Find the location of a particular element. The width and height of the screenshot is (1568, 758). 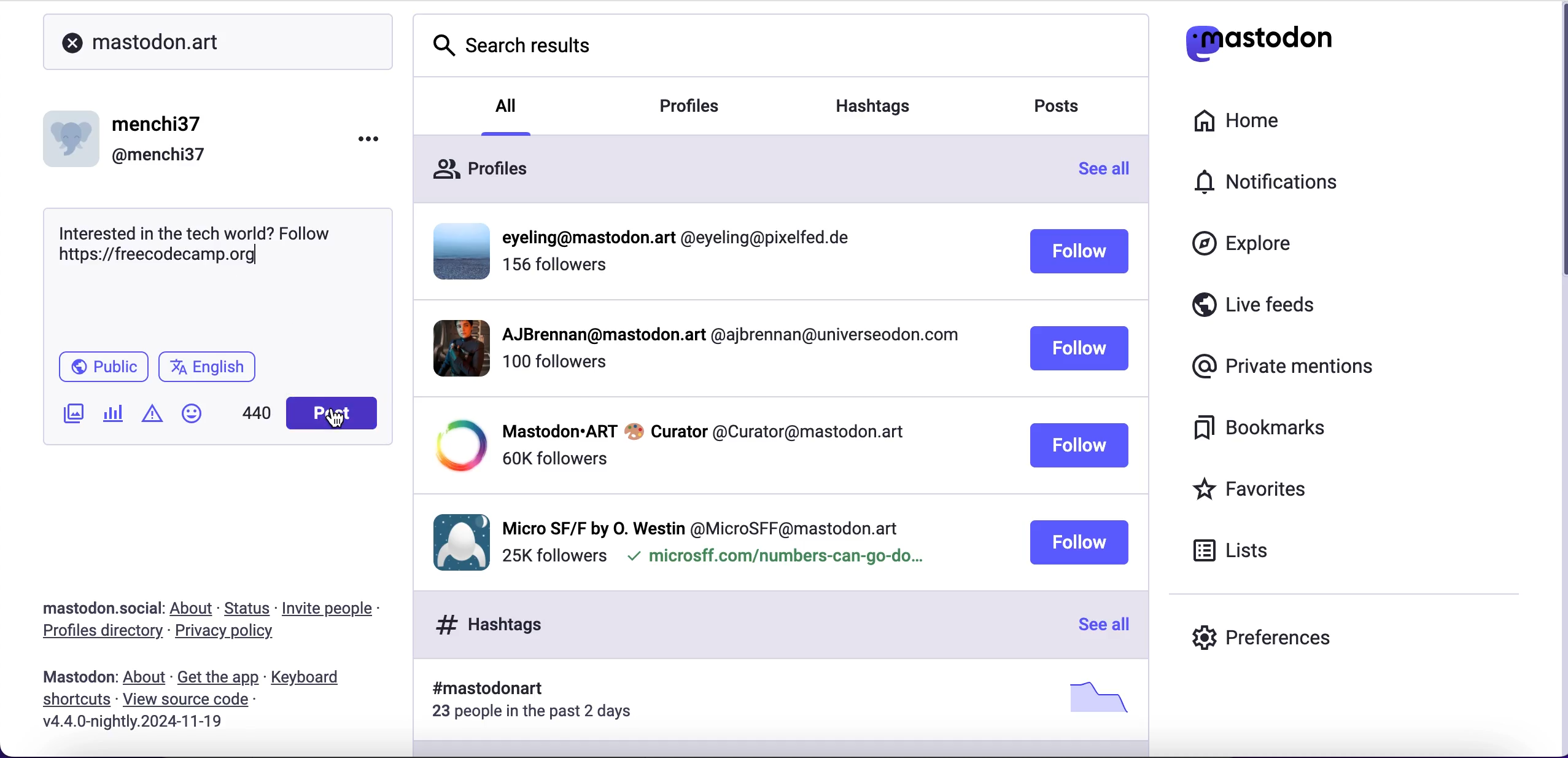

user profile is located at coordinates (724, 348).